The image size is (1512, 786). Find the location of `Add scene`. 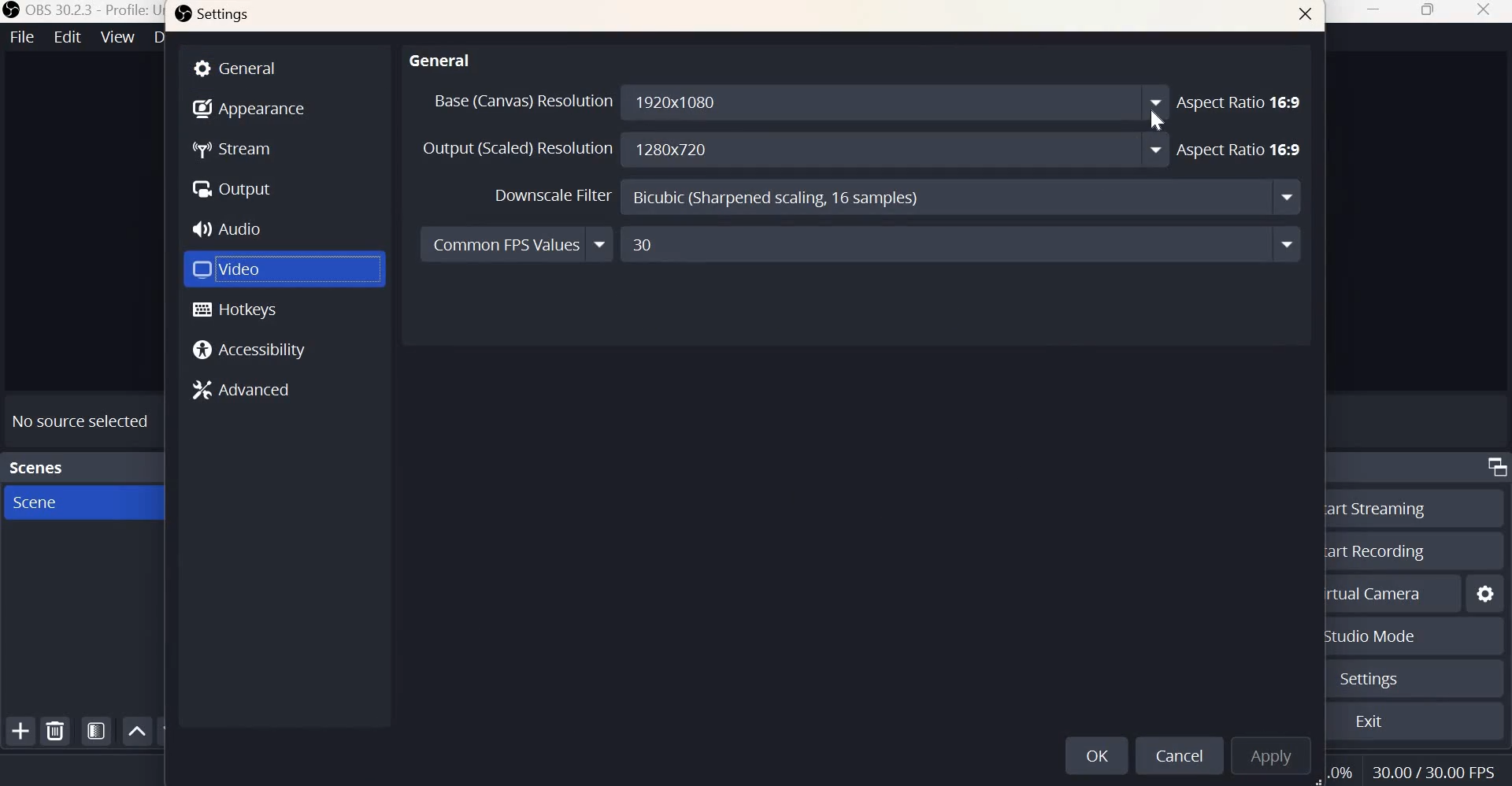

Add scene is located at coordinates (21, 732).